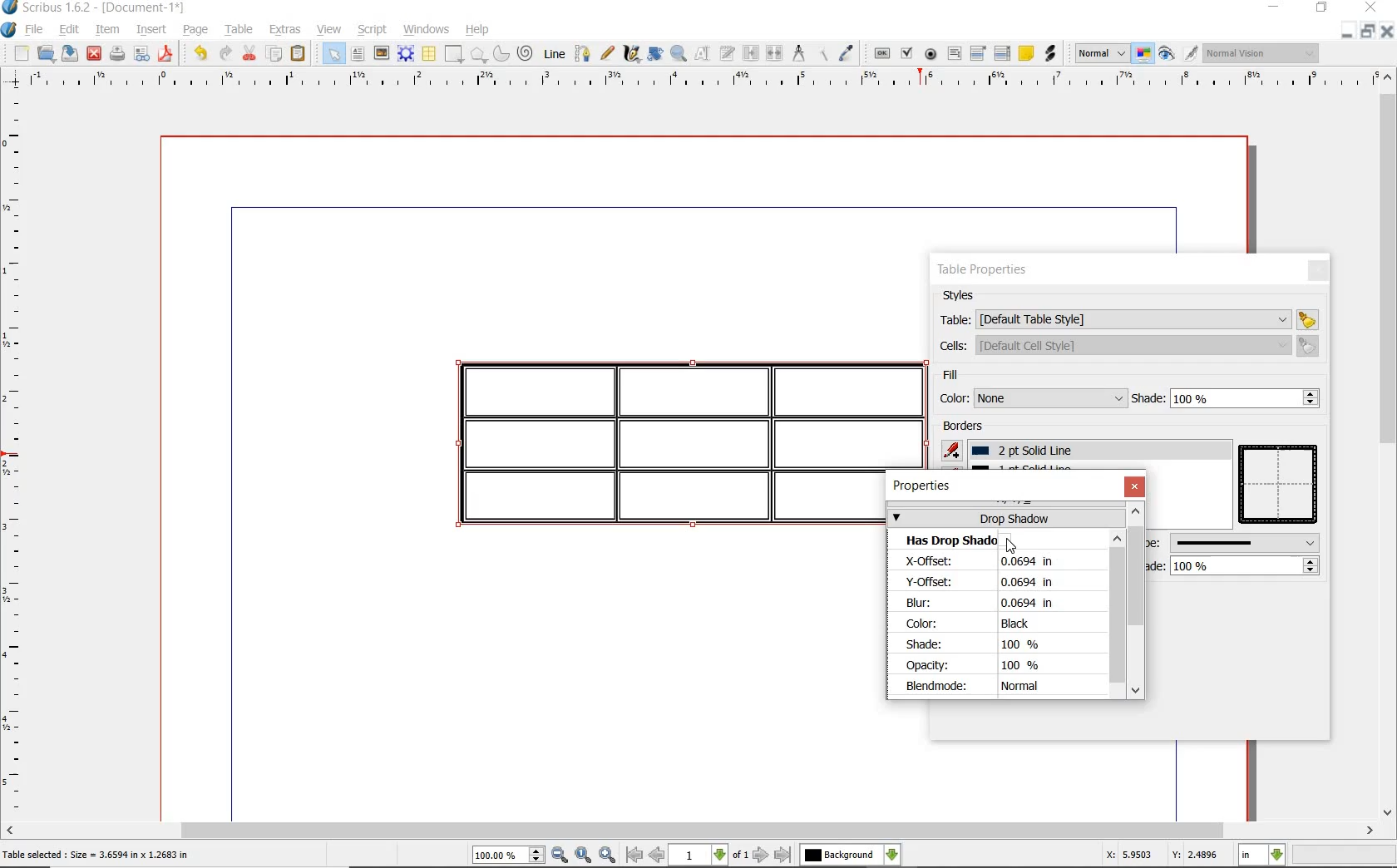 The height and width of the screenshot is (868, 1397). I want to click on close, so click(95, 53).